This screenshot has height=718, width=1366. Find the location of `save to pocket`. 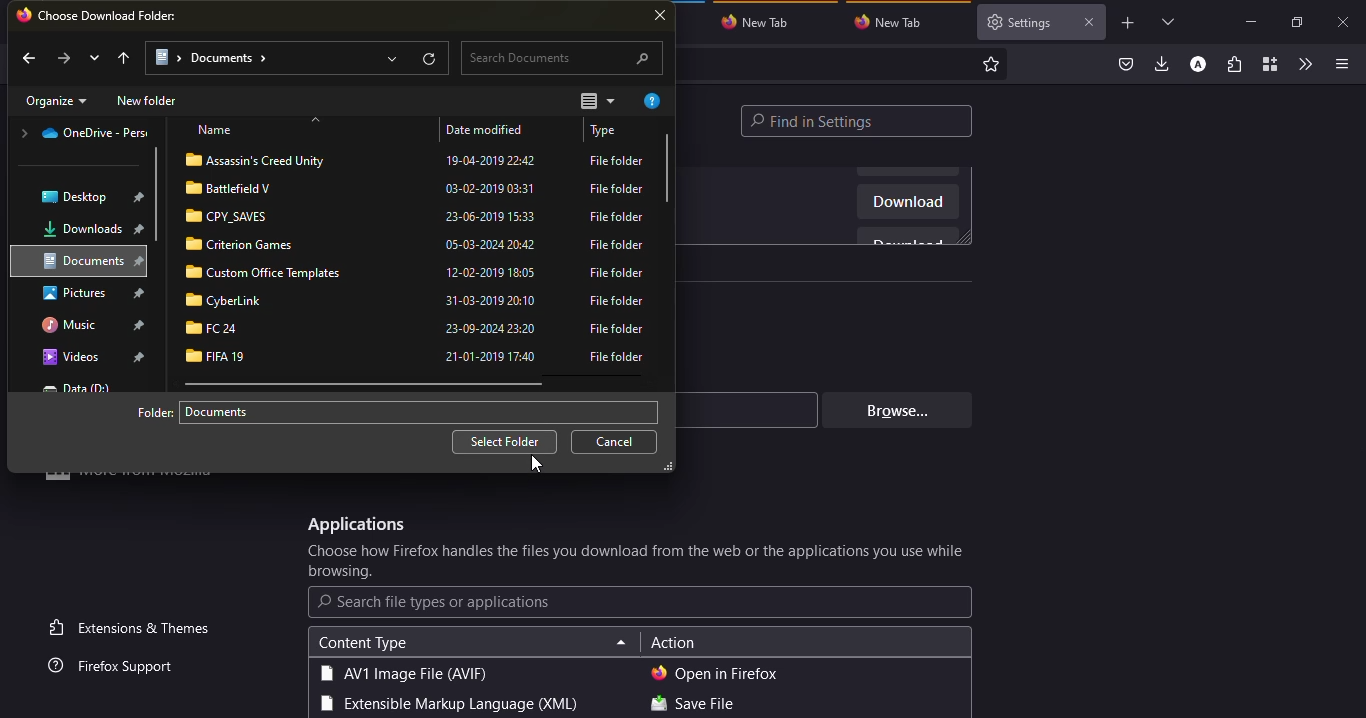

save to pocket is located at coordinates (1126, 65).